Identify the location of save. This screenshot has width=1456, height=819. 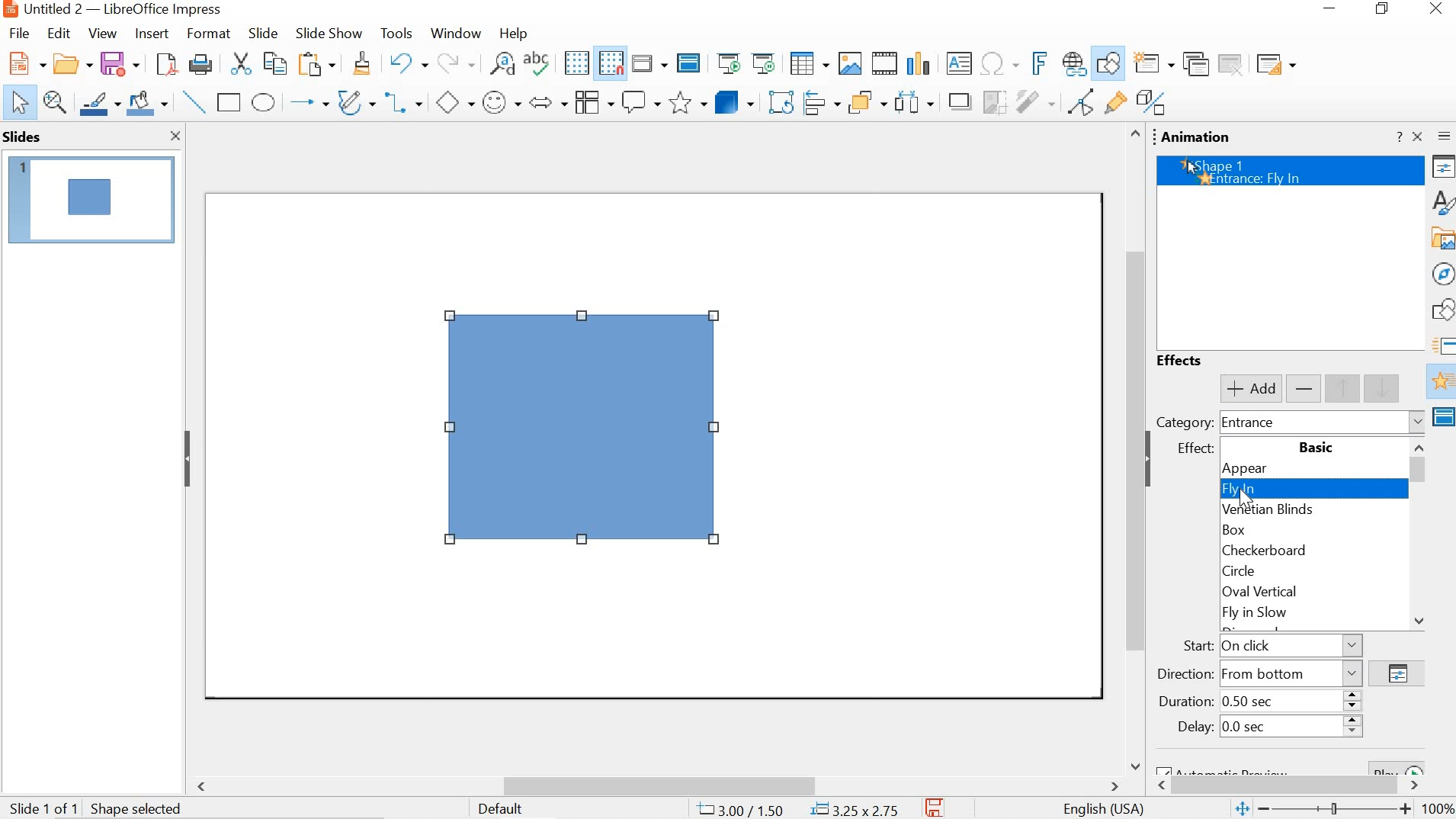
(118, 63).